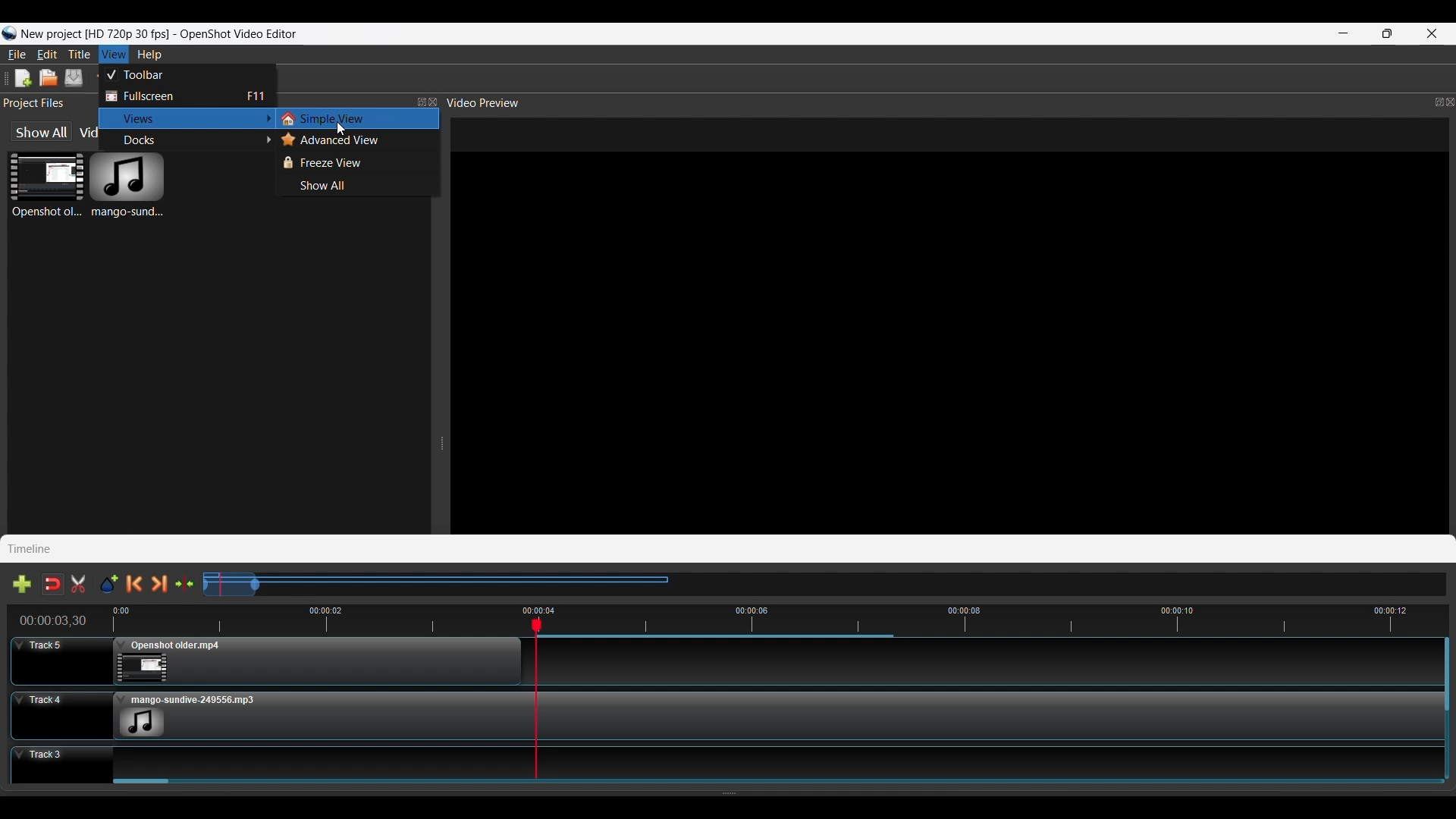 The height and width of the screenshot is (819, 1456). Describe the element at coordinates (185, 583) in the screenshot. I see `Center the timeline on the playhead` at that location.